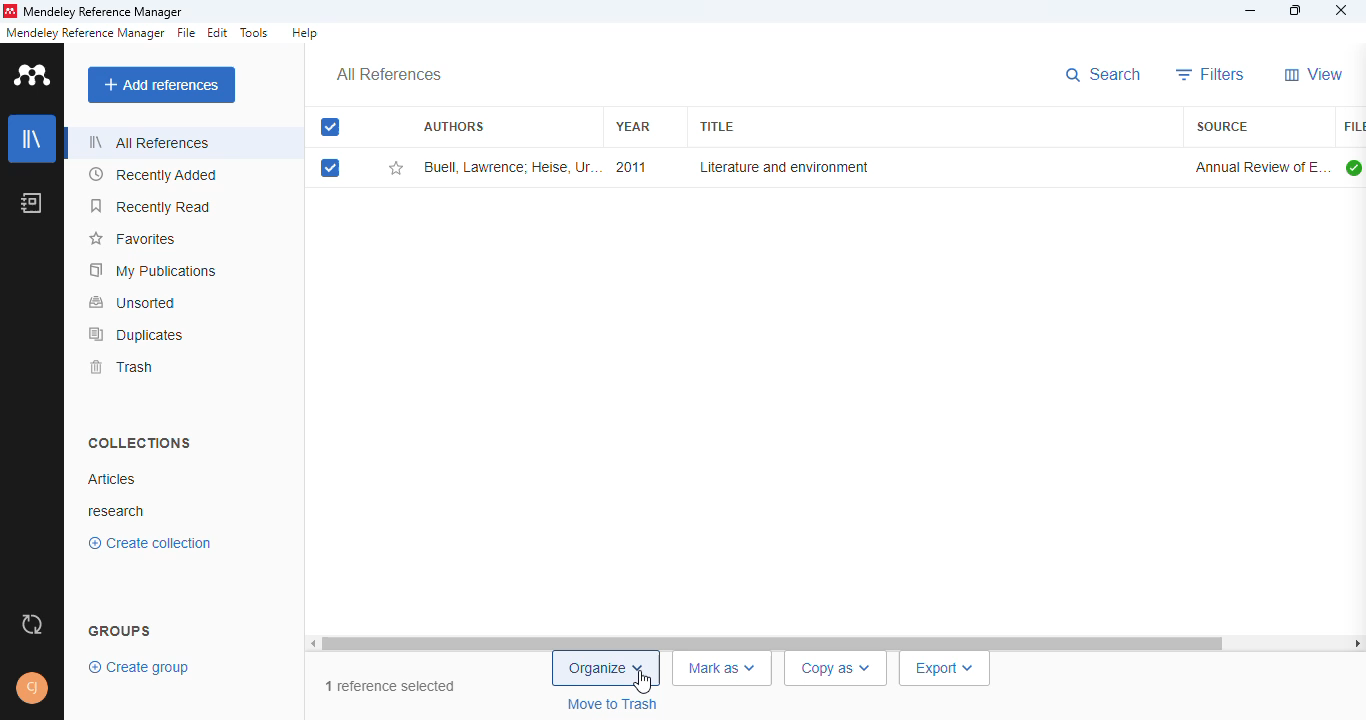  I want to click on minimize, so click(1251, 12).